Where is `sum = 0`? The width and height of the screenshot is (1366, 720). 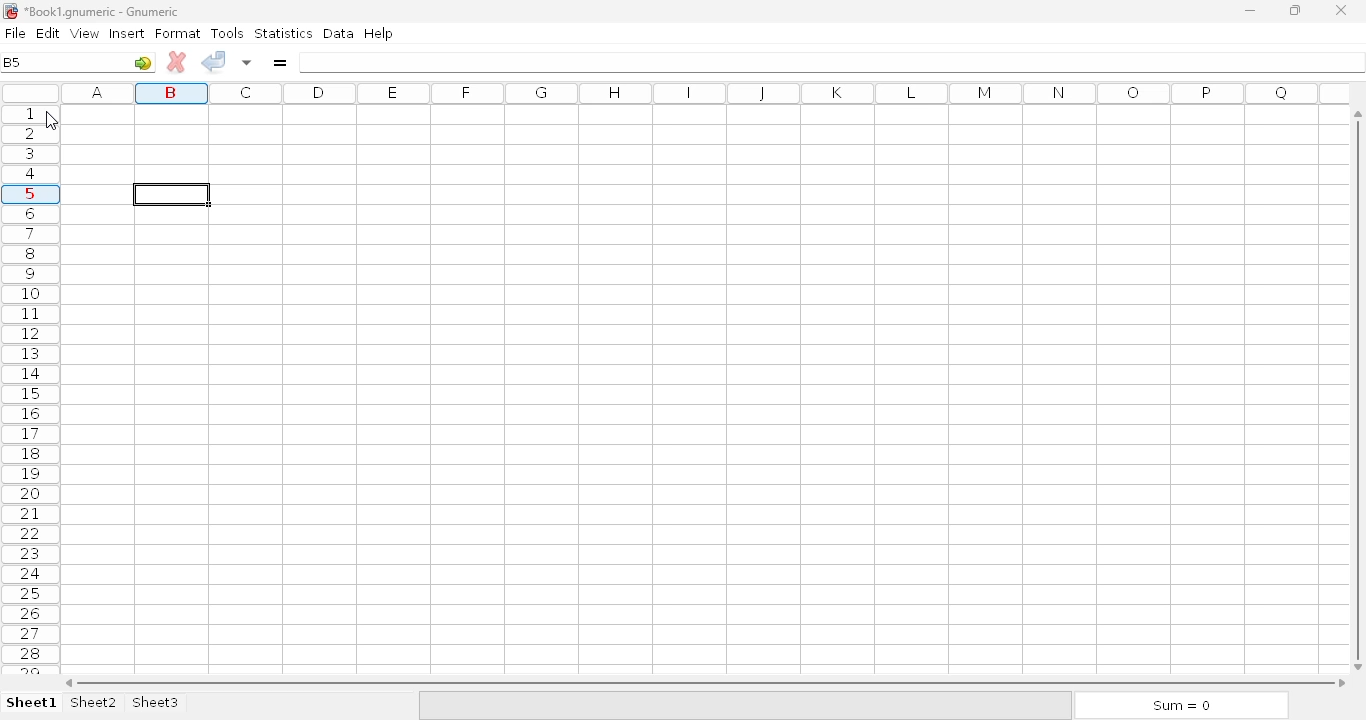
sum = 0 is located at coordinates (1179, 706).